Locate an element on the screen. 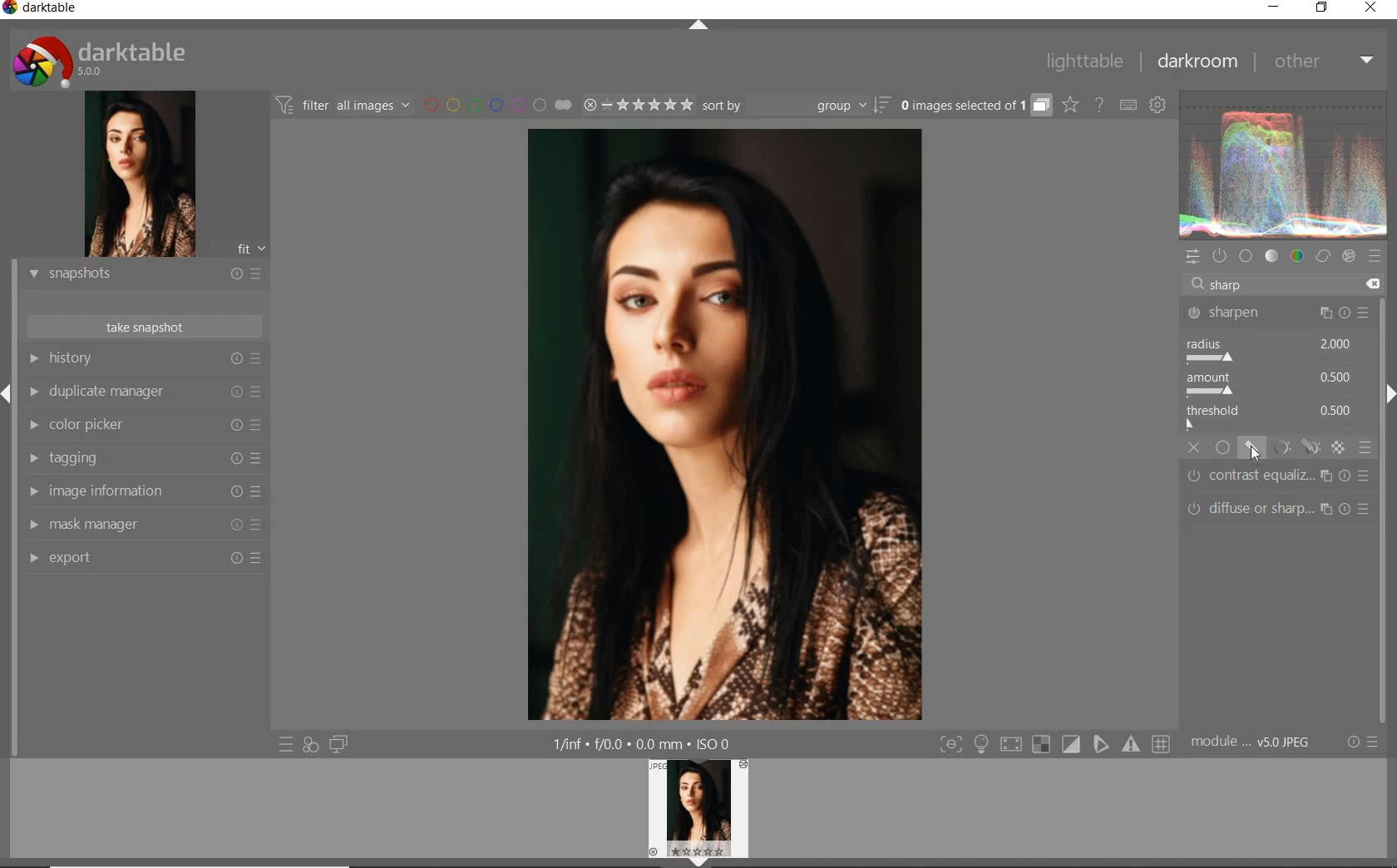 This screenshot has width=1397, height=868. tone is located at coordinates (1271, 256).